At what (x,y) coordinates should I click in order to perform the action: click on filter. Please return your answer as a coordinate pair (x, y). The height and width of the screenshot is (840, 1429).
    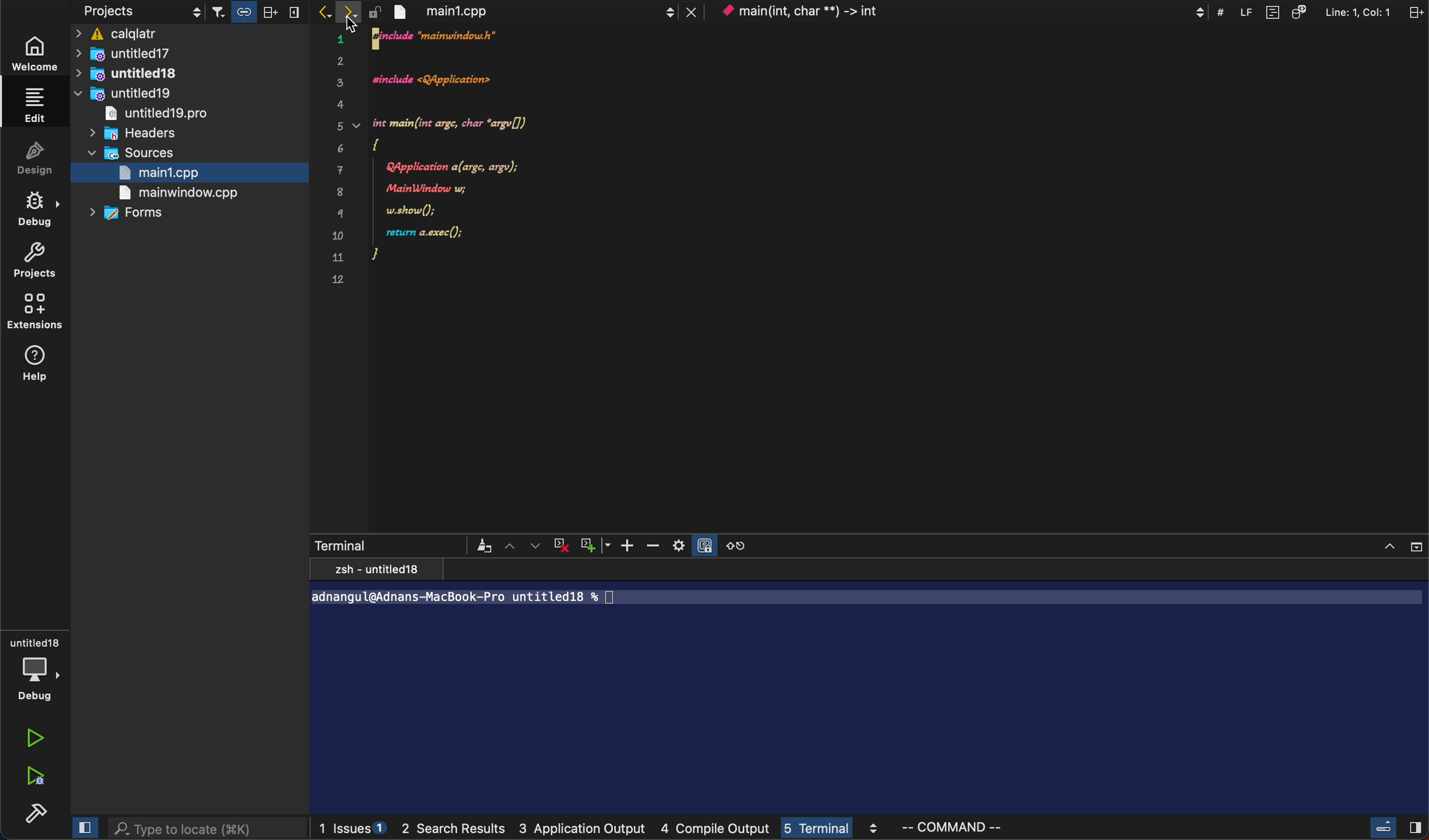
    Looking at the image, I should click on (256, 11).